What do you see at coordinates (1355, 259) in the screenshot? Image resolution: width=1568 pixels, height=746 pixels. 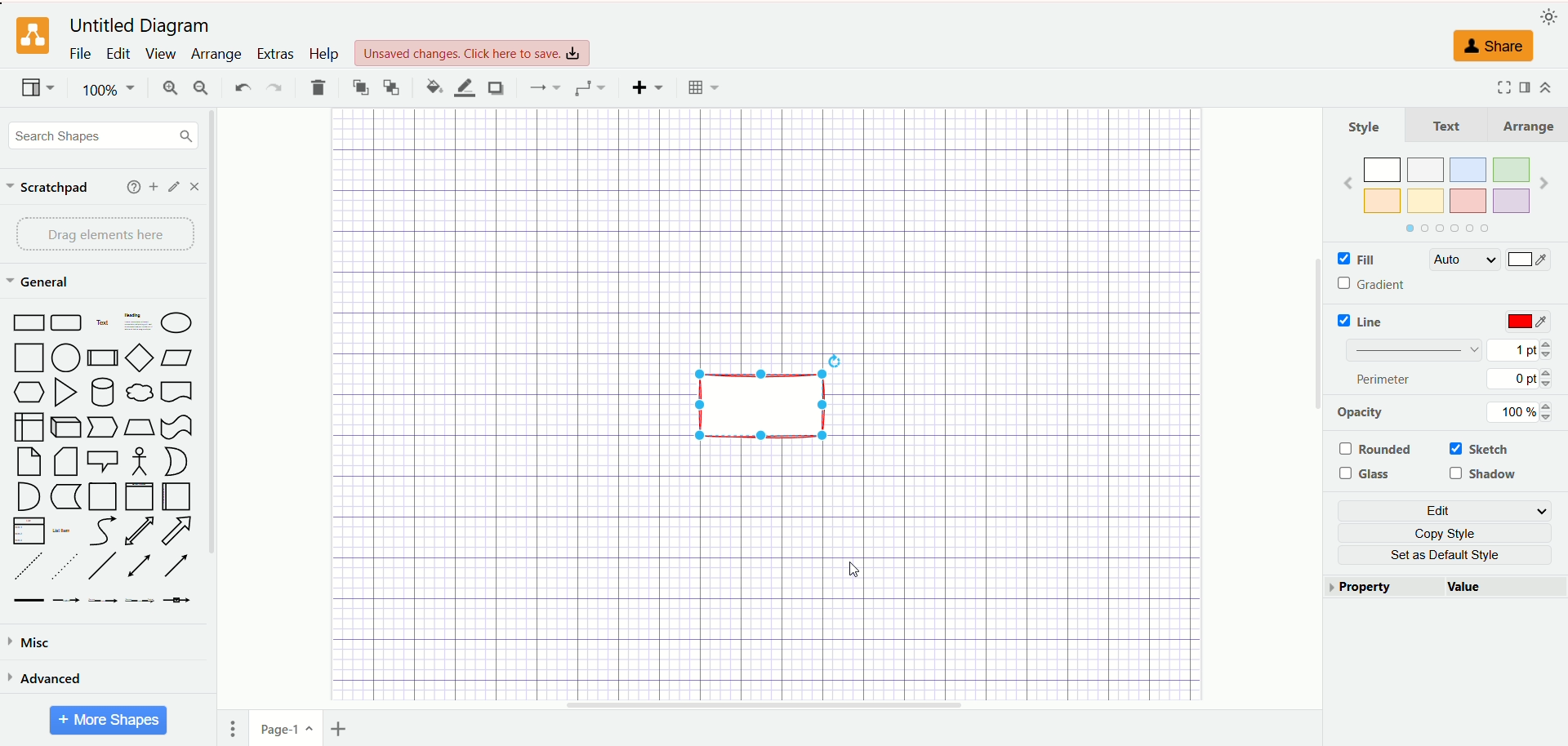 I see `fill` at bounding box center [1355, 259].